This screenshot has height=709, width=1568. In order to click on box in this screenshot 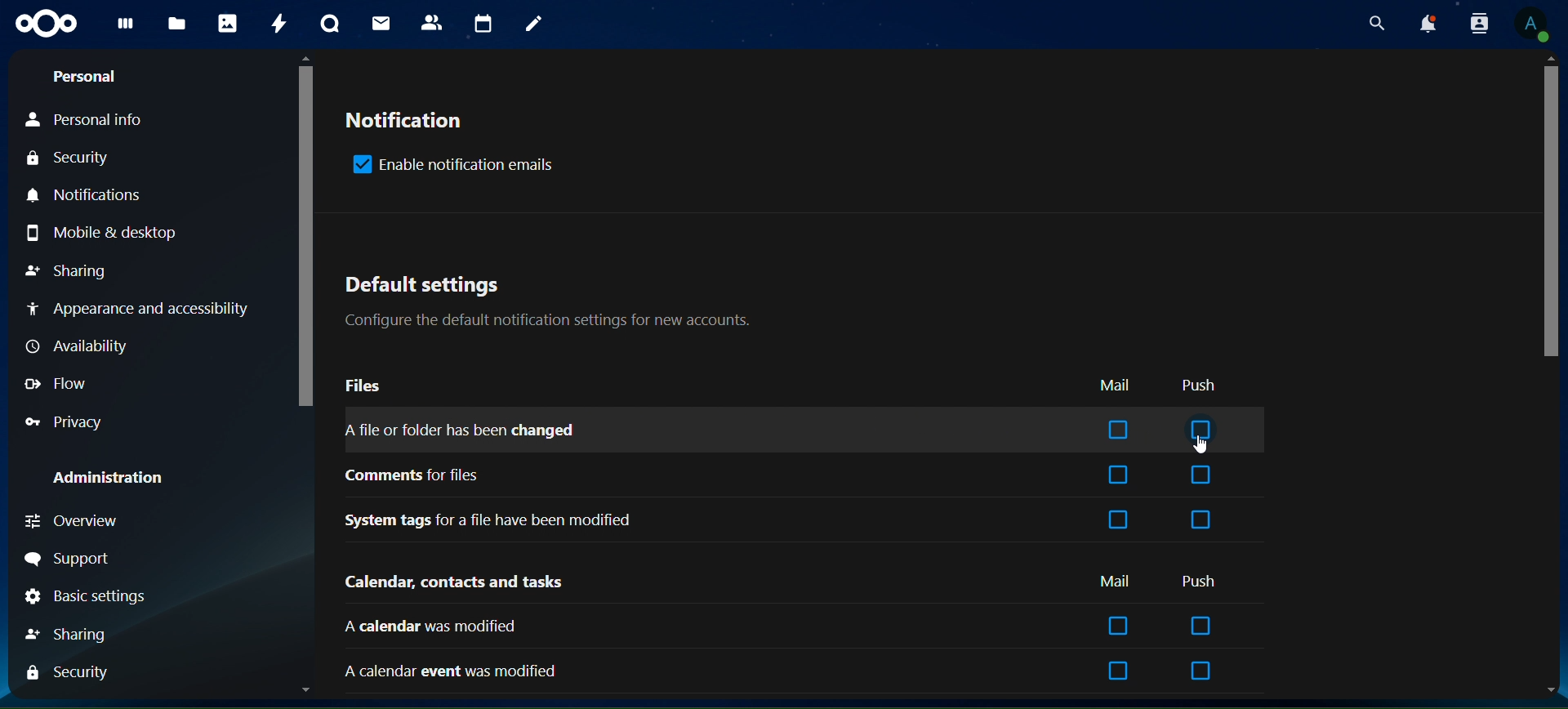, I will do `click(1118, 672)`.